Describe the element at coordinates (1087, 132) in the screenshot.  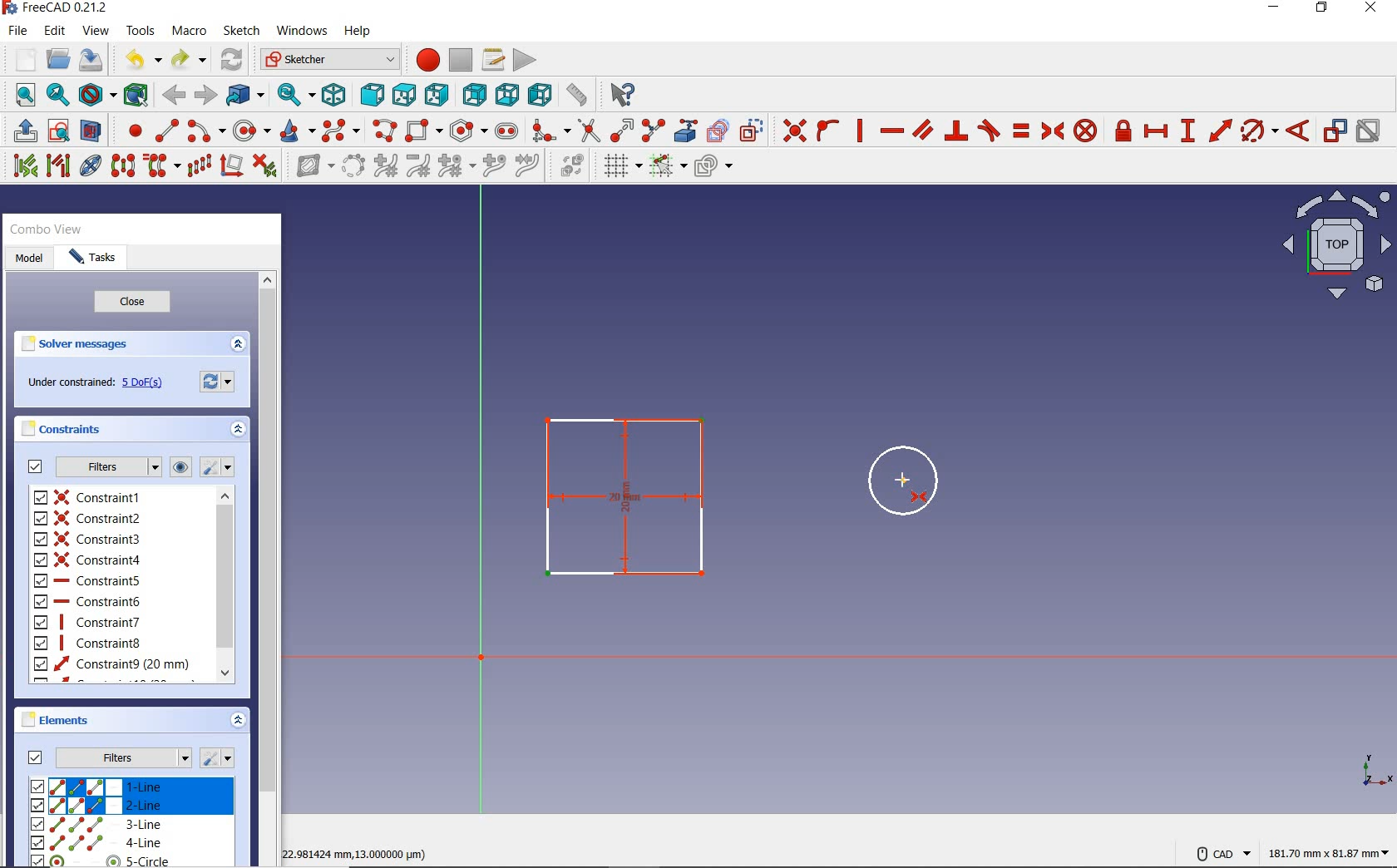
I see `constrain block` at that location.